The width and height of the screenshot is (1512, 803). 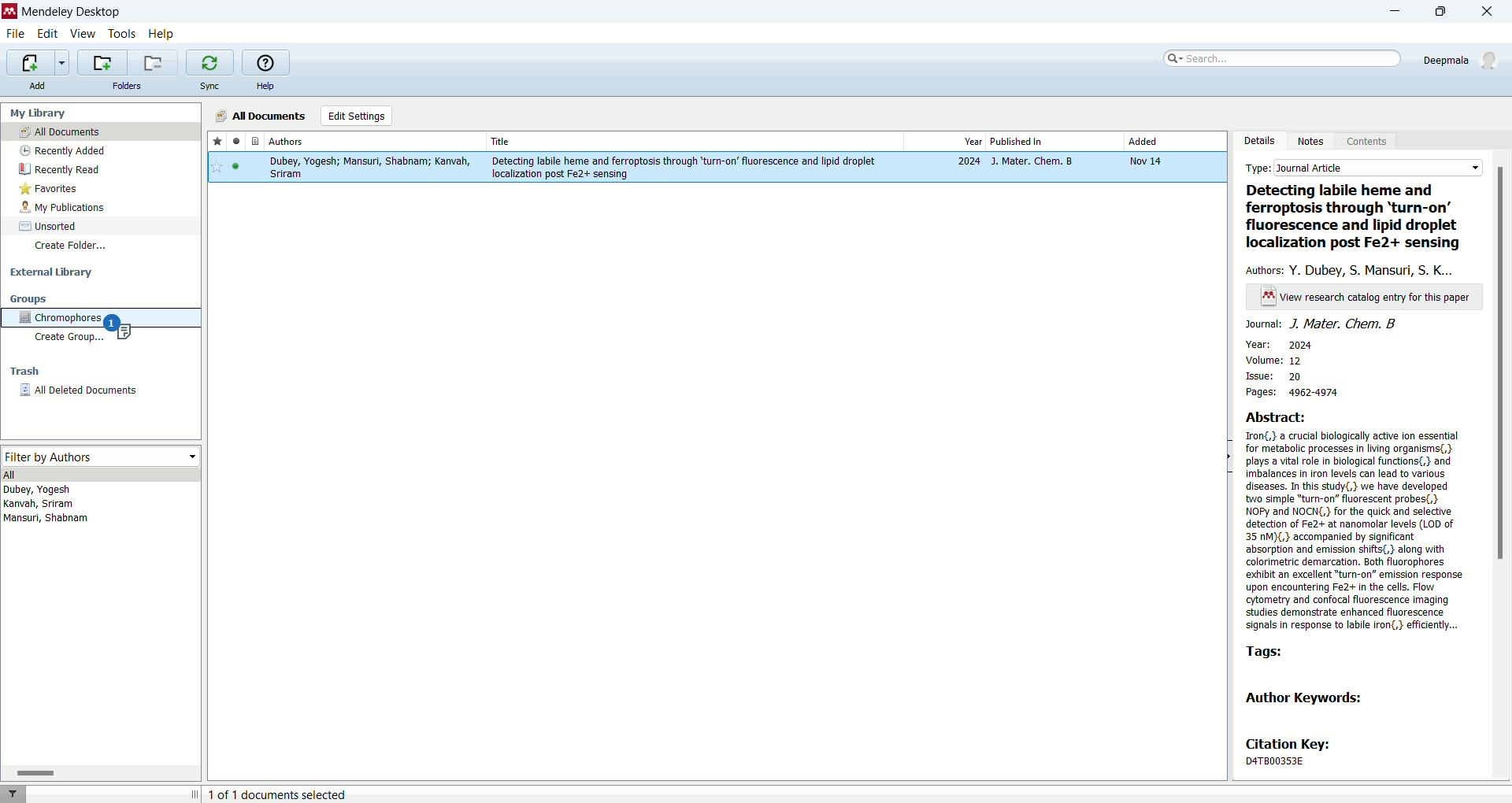 I want to click on my library, so click(x=40, y=113).